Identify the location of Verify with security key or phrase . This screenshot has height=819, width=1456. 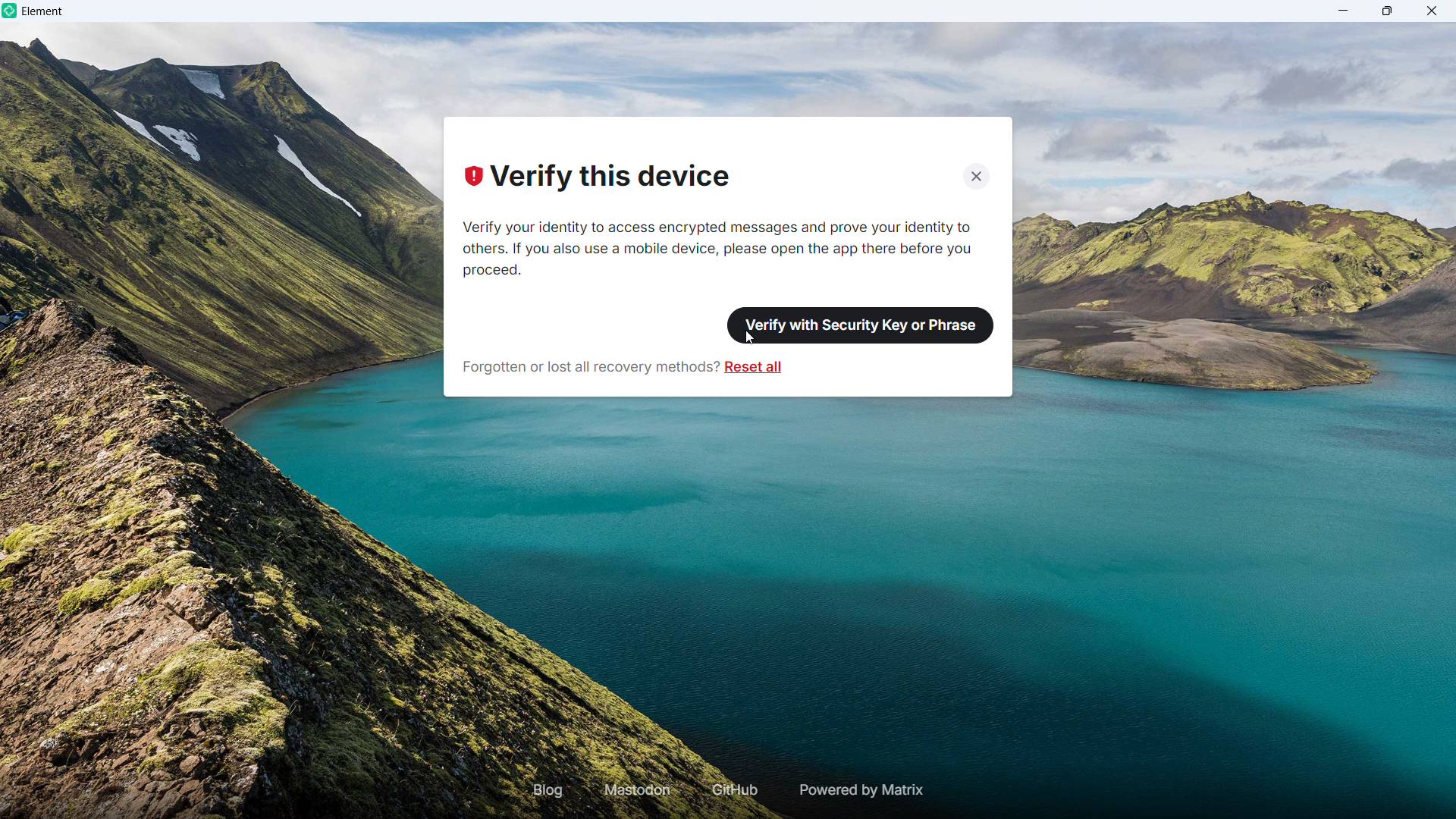
(862, 324).